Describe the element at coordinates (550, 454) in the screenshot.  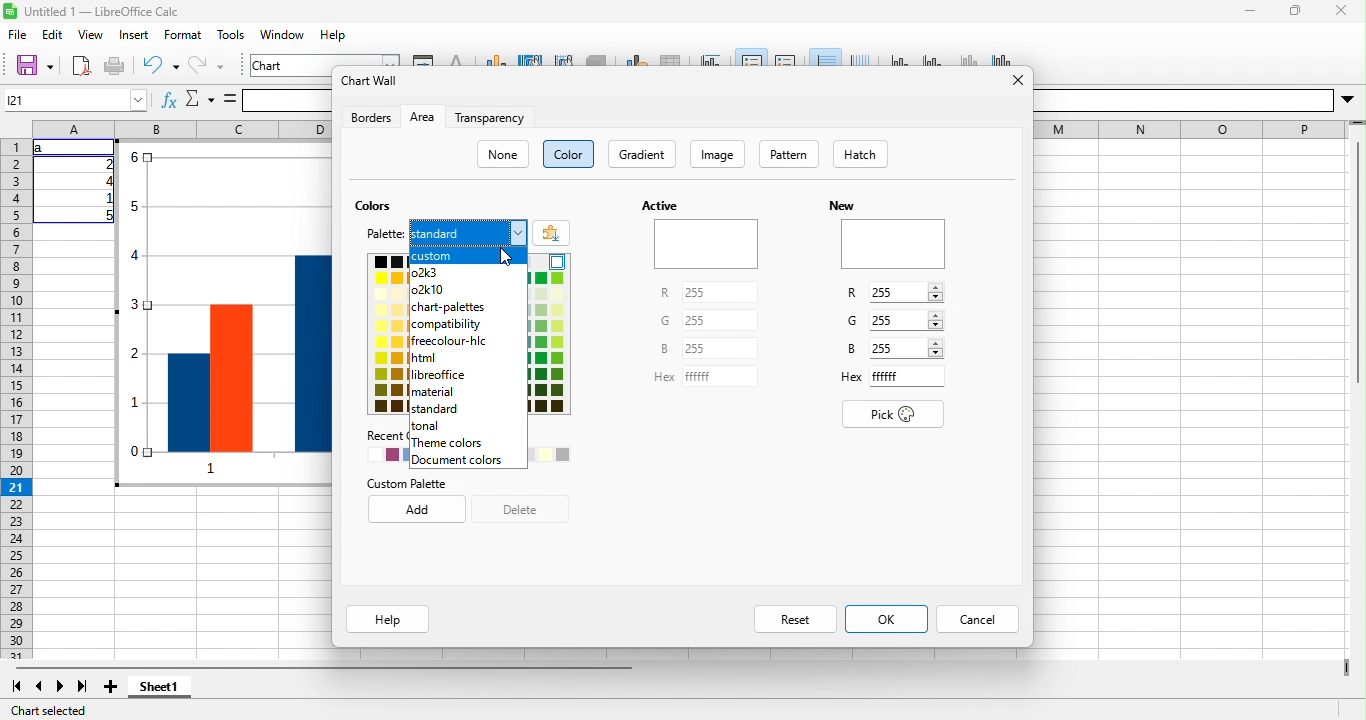
I see `Recently used colors` at that location.